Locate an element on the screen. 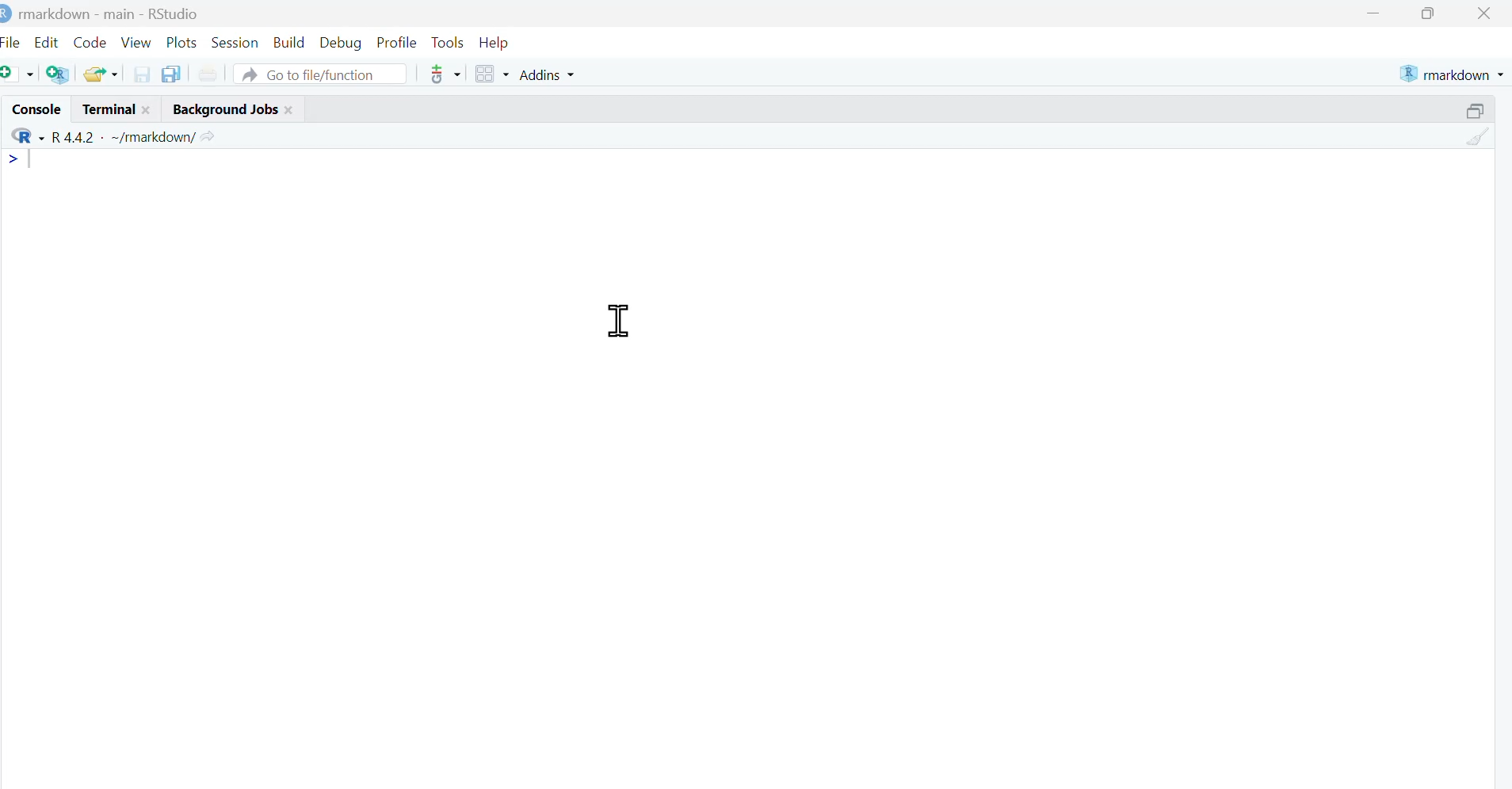 This screenshot has height=789, width=1512. View is located at coordinates (138, 40).